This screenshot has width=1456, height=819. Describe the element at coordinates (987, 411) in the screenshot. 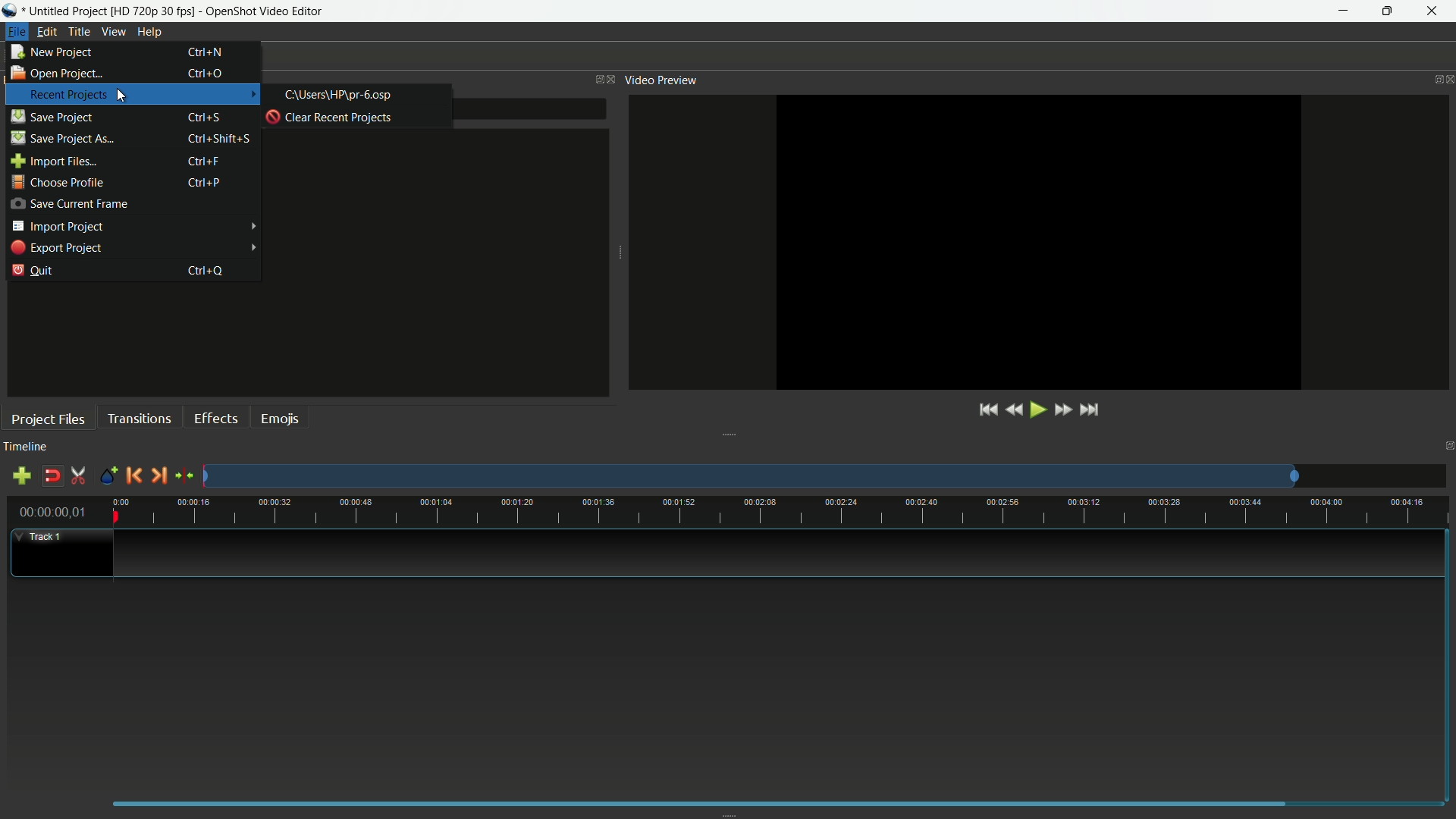

I see `jump to start` at that location.